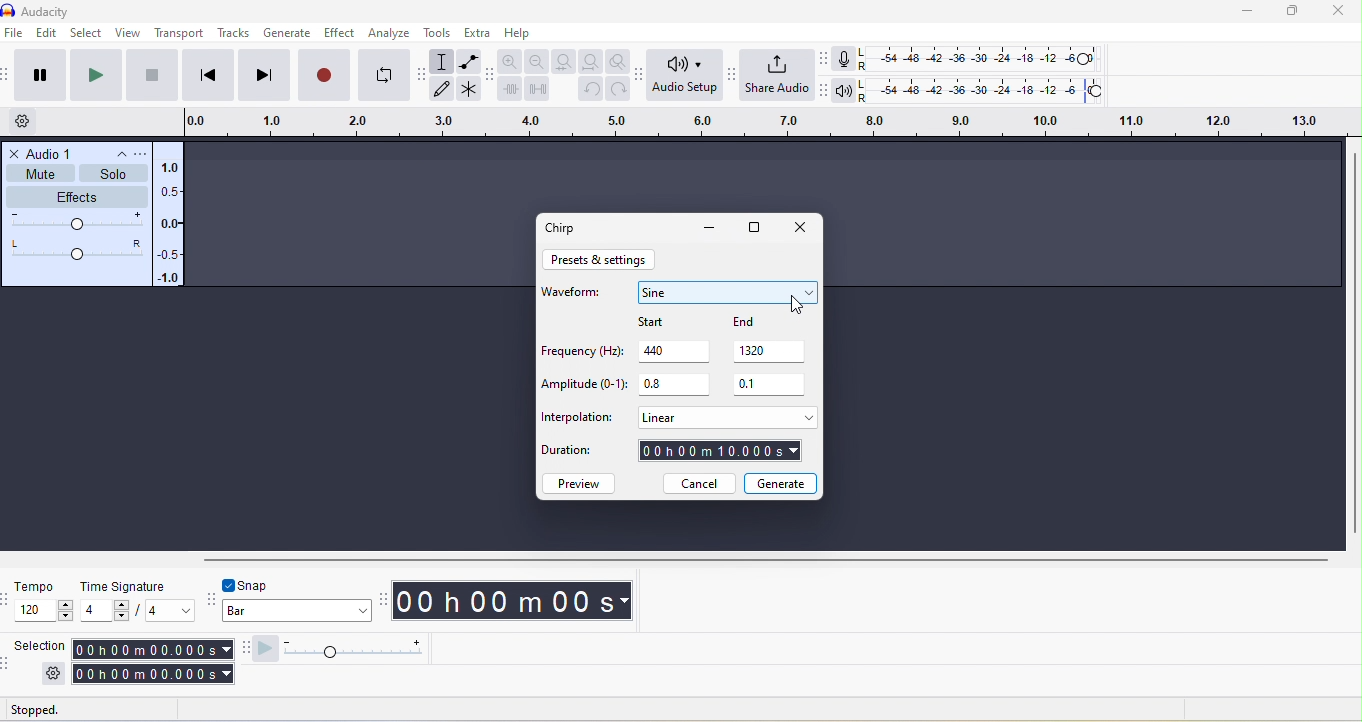 This screenshot has width=1362, height=722. I want to click on close, so click(1340, 12).